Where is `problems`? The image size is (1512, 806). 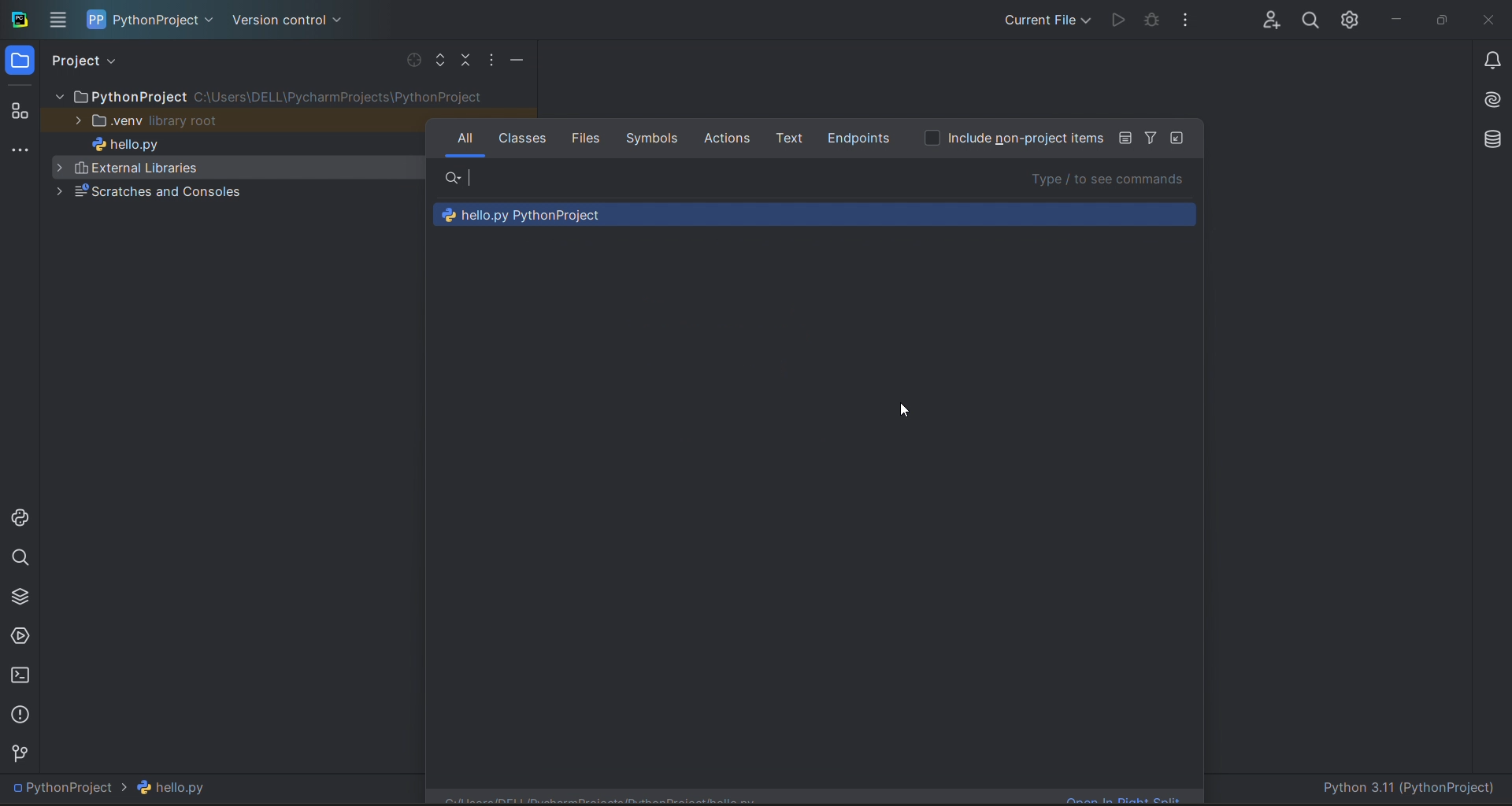 problems is located at coordinates (20, 715).